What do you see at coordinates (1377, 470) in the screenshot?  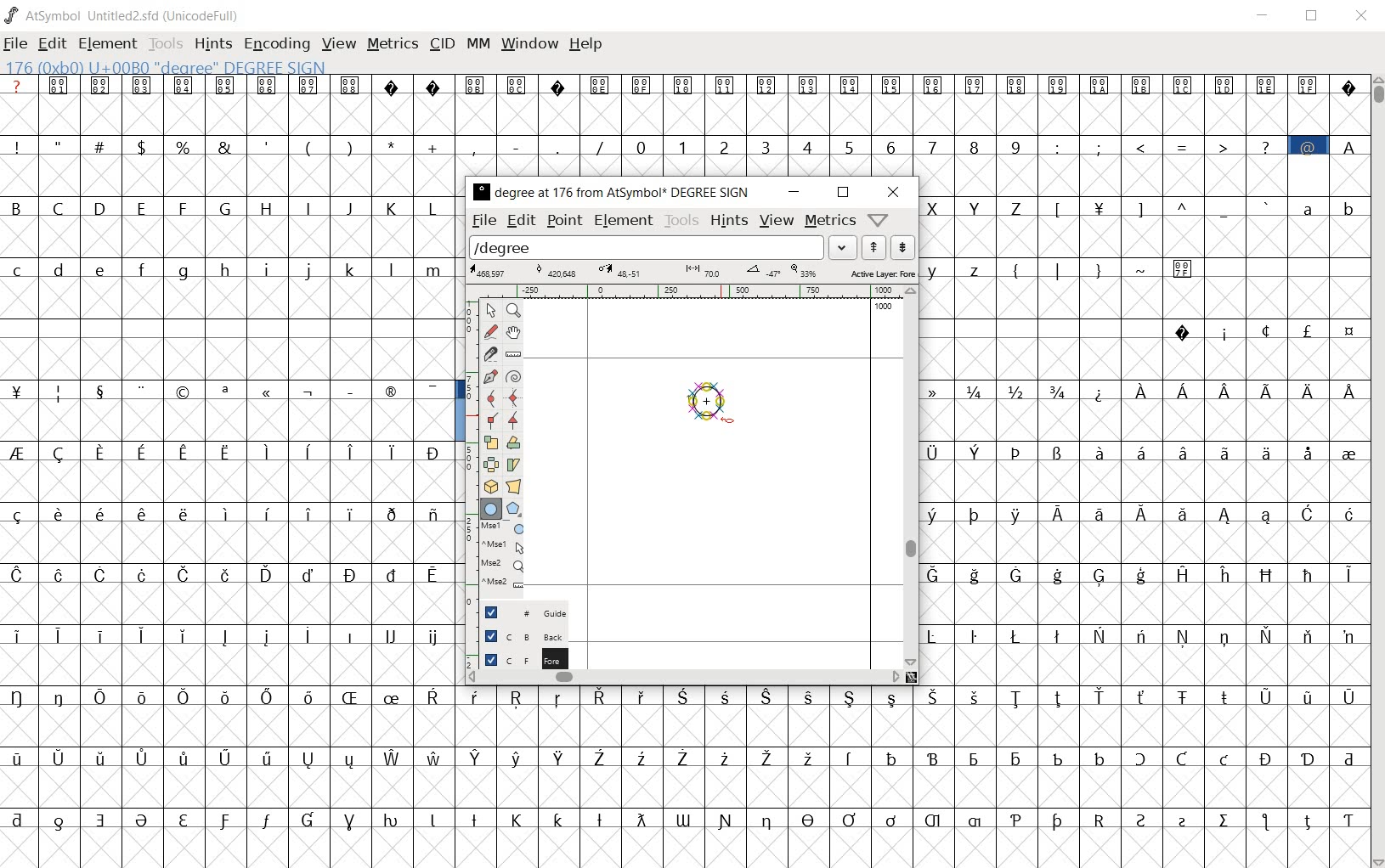 I see `scrollbar` at bounding box center [1377, 470].